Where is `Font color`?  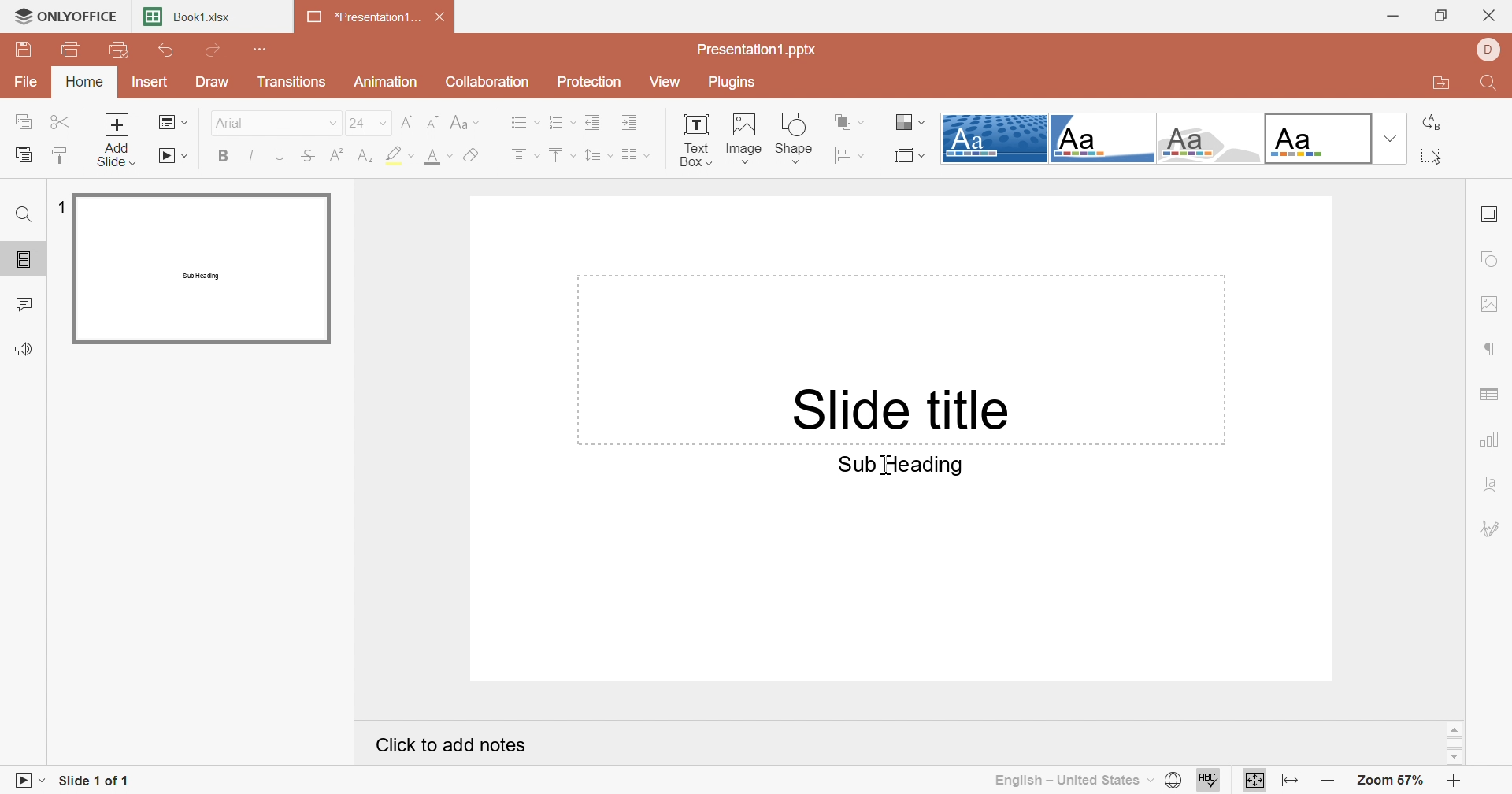
Font color is located at coordinates (435, 156).